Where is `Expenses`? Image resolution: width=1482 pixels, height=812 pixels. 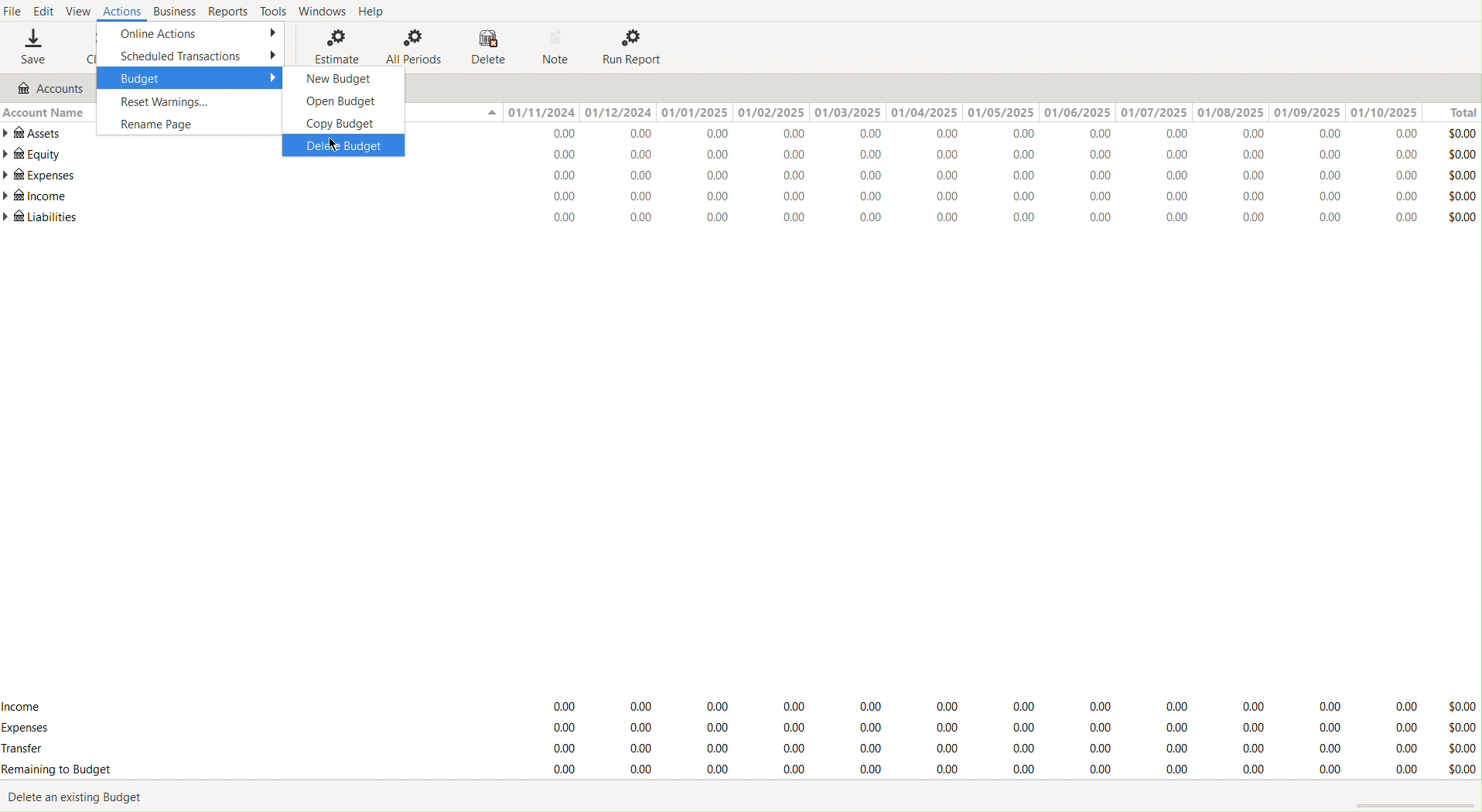 Expenses is located at coordinates (988, 728).